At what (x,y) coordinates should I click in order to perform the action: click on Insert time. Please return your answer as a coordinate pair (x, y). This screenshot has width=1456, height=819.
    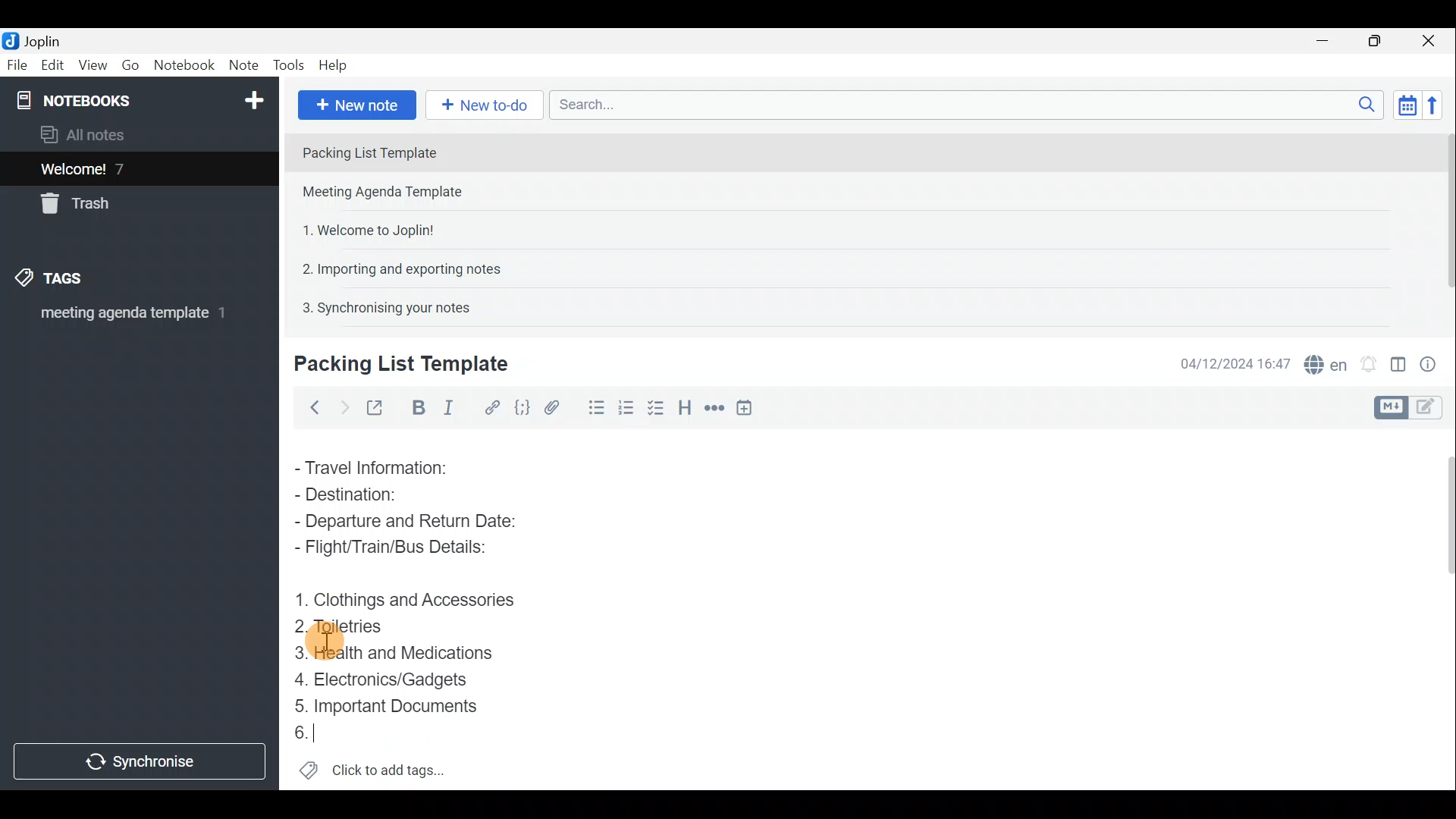
    Looking at the image, I should click on (749, 407).